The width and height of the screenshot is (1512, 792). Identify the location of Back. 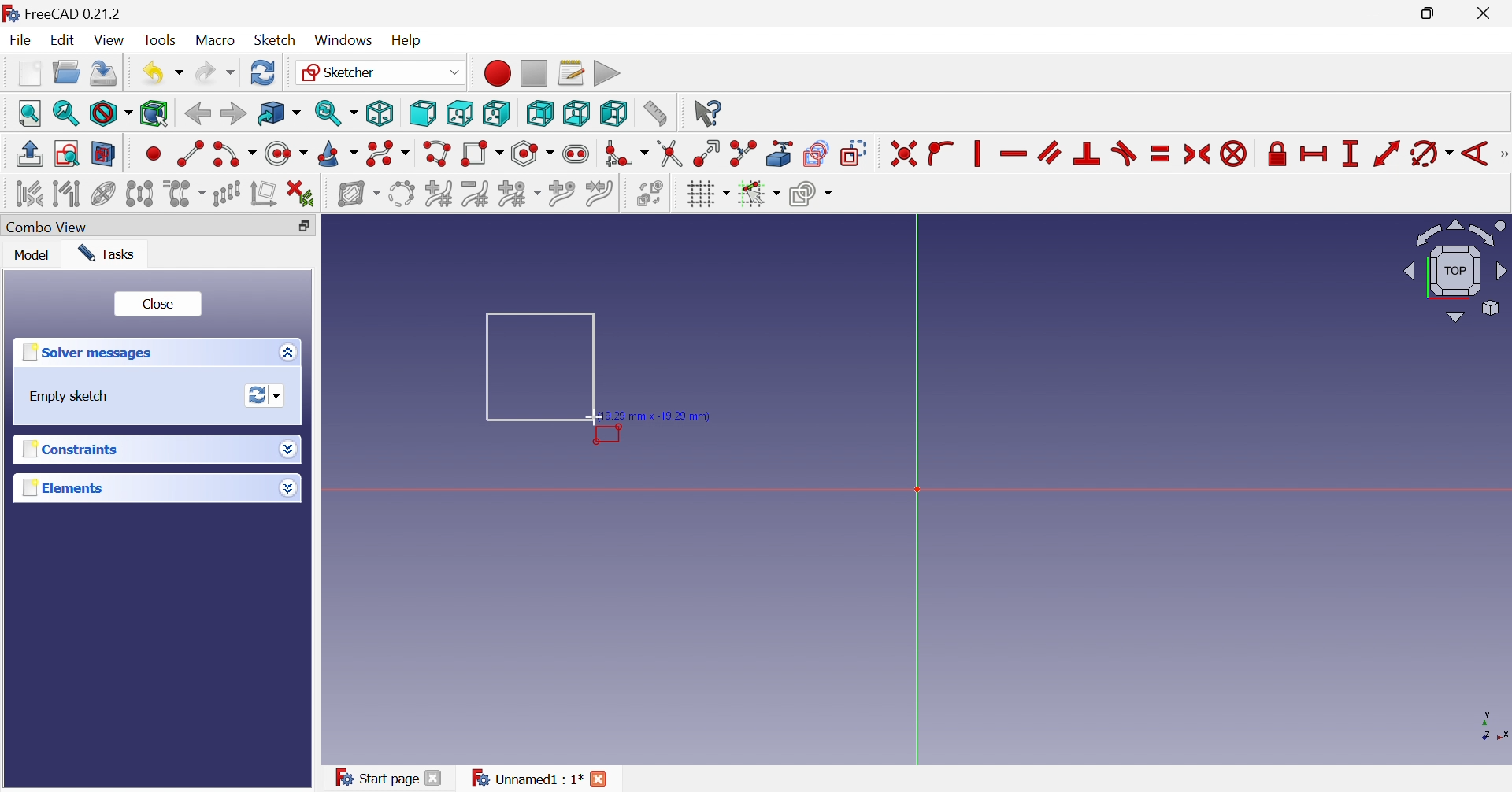
(197, 114).